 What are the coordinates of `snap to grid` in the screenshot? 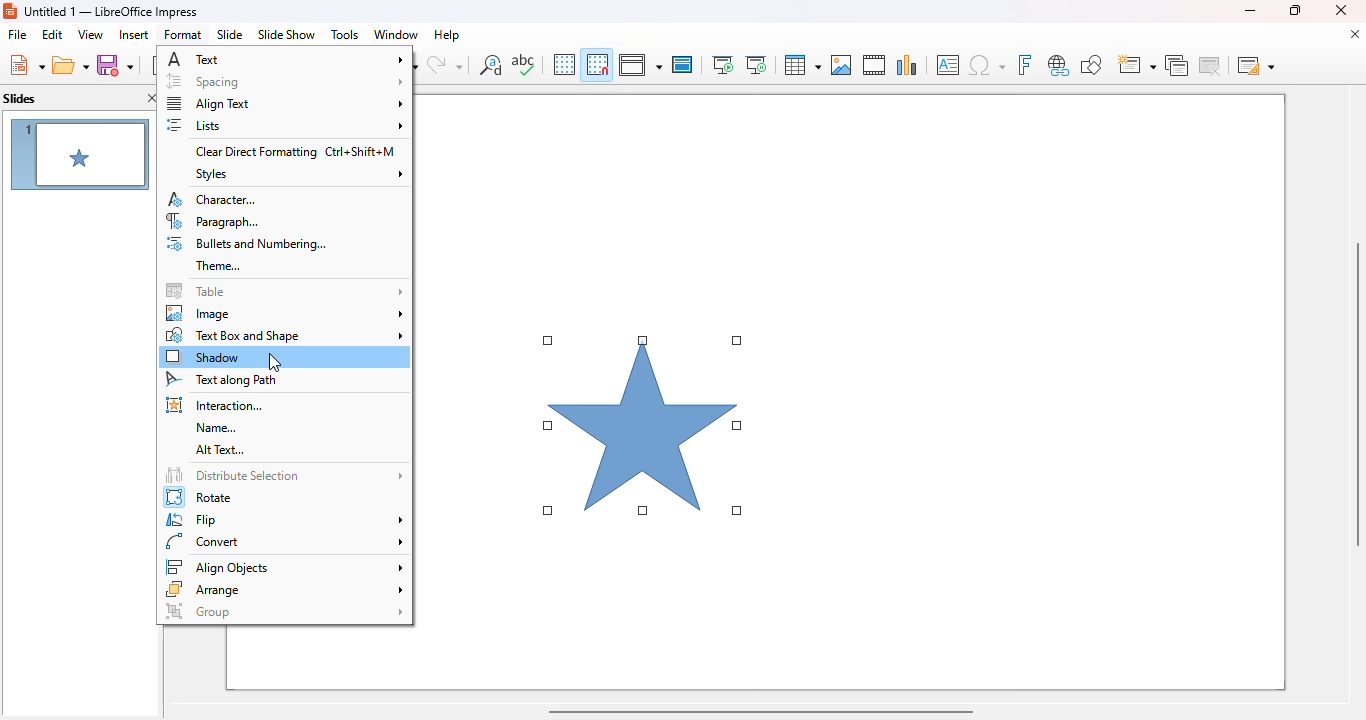 It's located at (596, 64).